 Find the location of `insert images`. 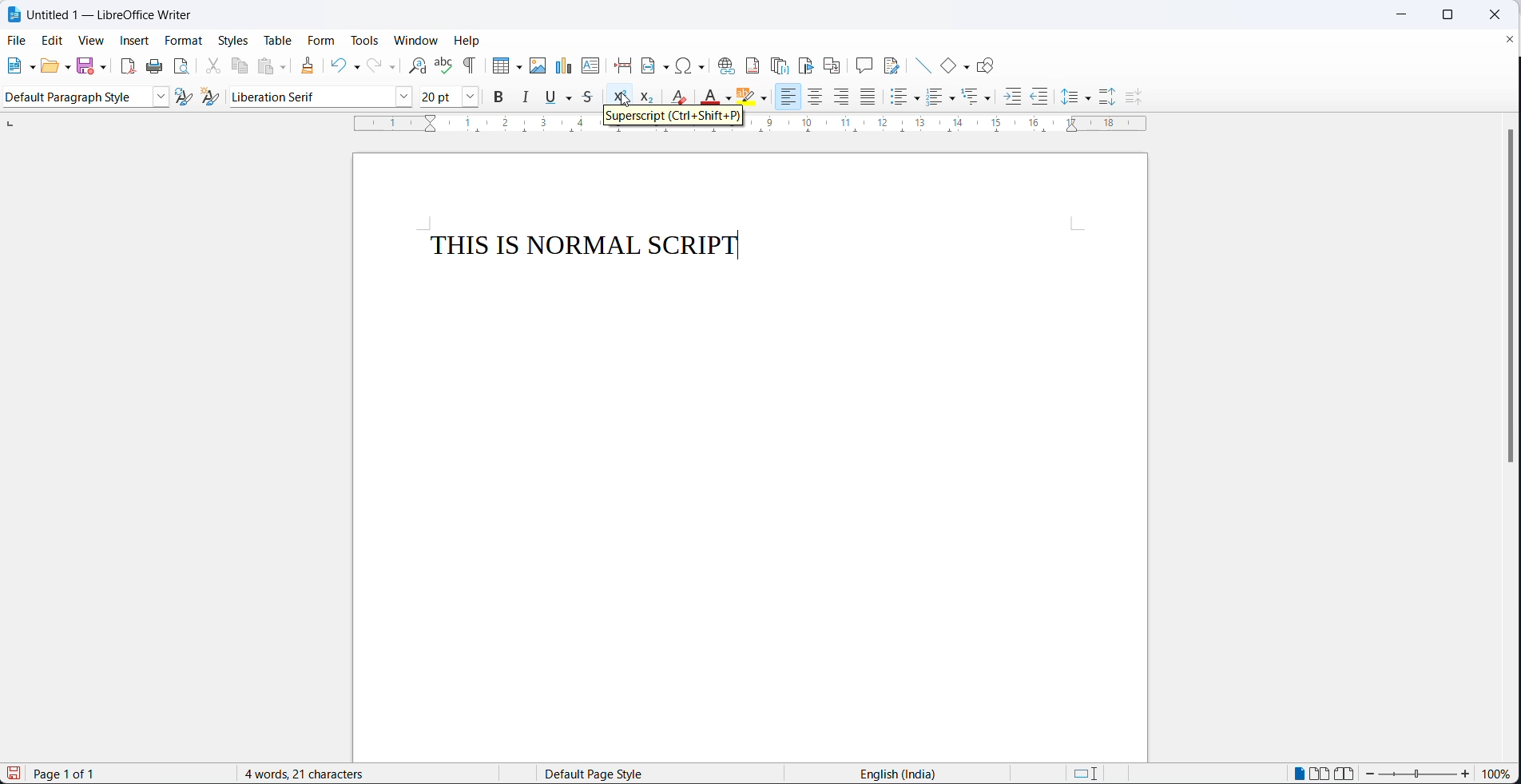

insert images is located at coordinates (538, 65).